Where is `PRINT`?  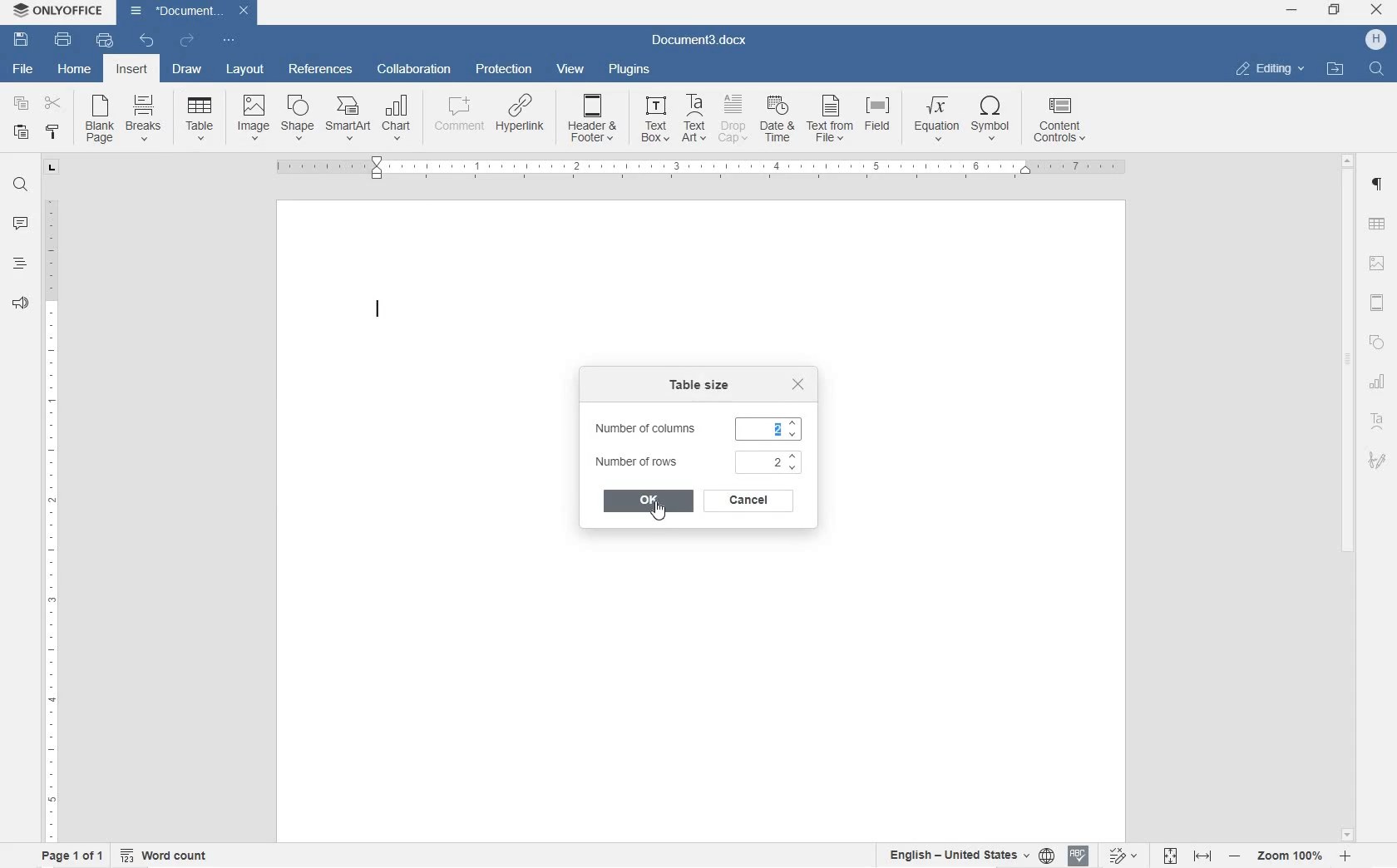 PRINT is located at coordinates (64, 39).